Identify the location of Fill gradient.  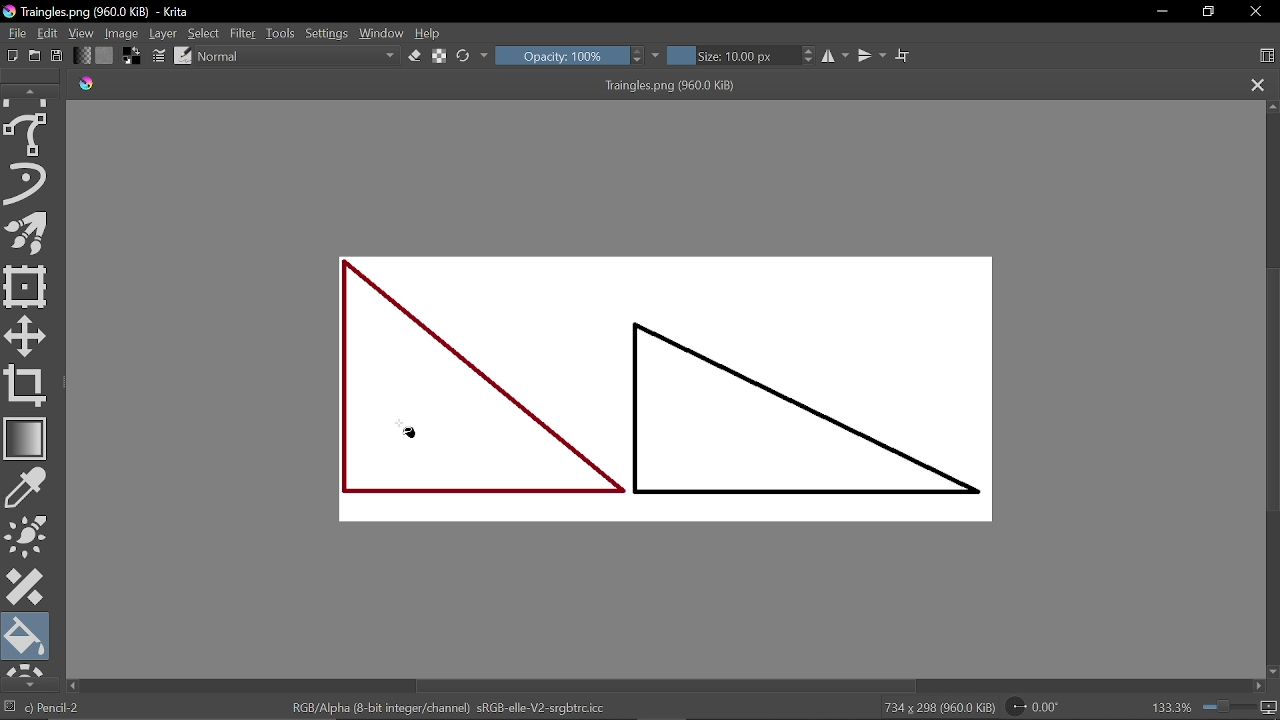
(83, 55).